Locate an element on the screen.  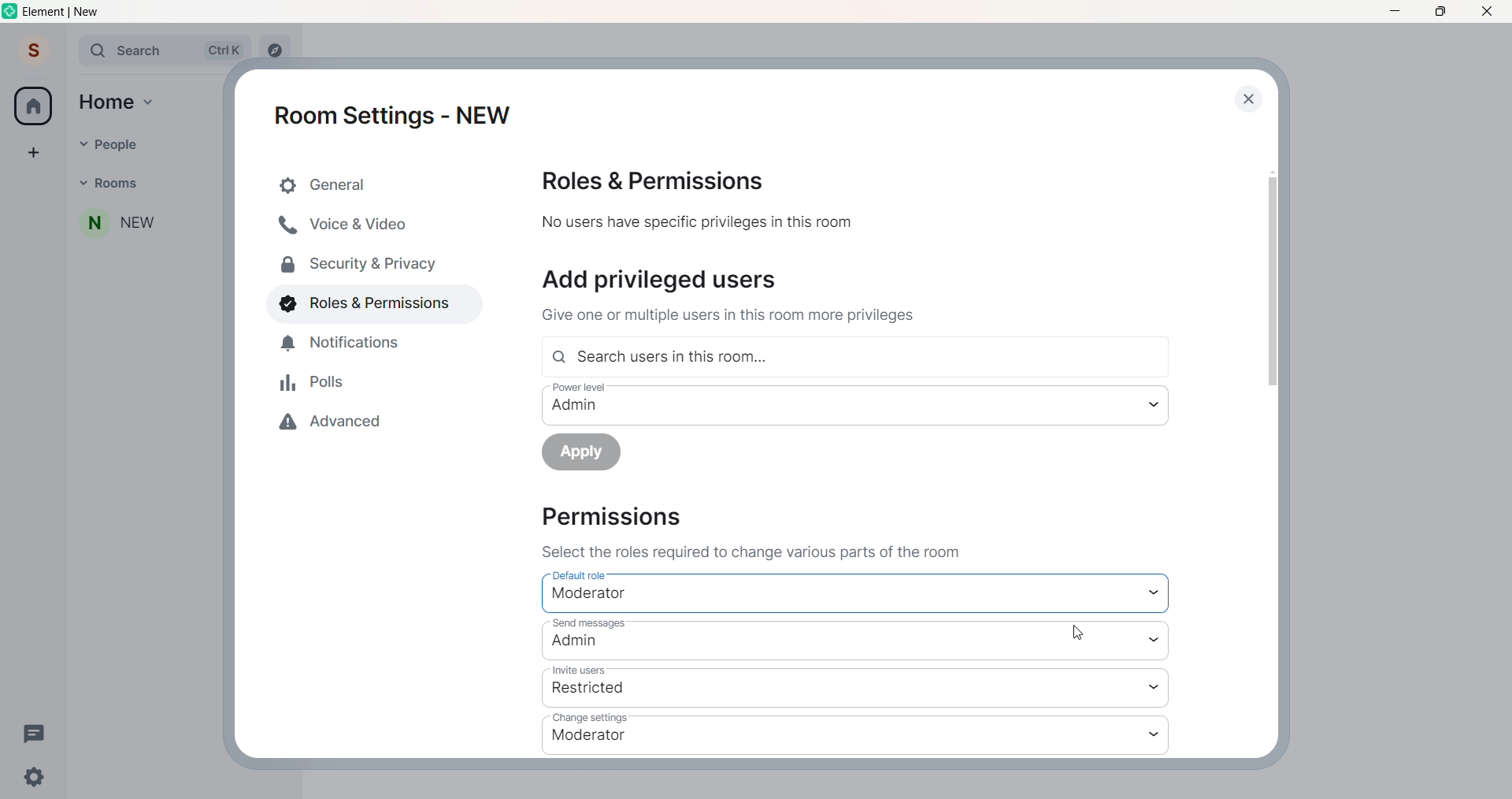
title is located at coordinates (66, 11).